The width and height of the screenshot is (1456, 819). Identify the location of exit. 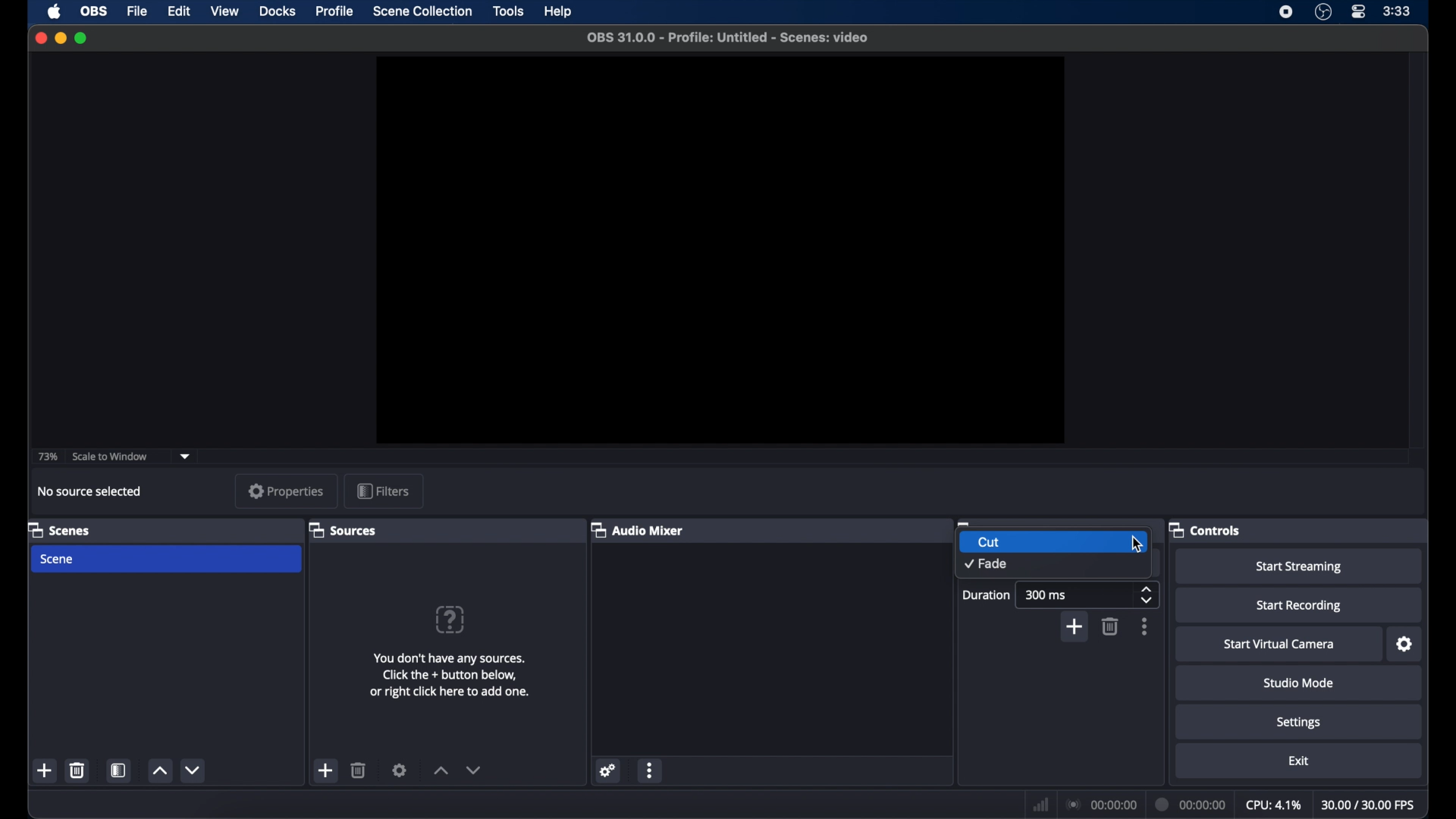
(1301, 762).